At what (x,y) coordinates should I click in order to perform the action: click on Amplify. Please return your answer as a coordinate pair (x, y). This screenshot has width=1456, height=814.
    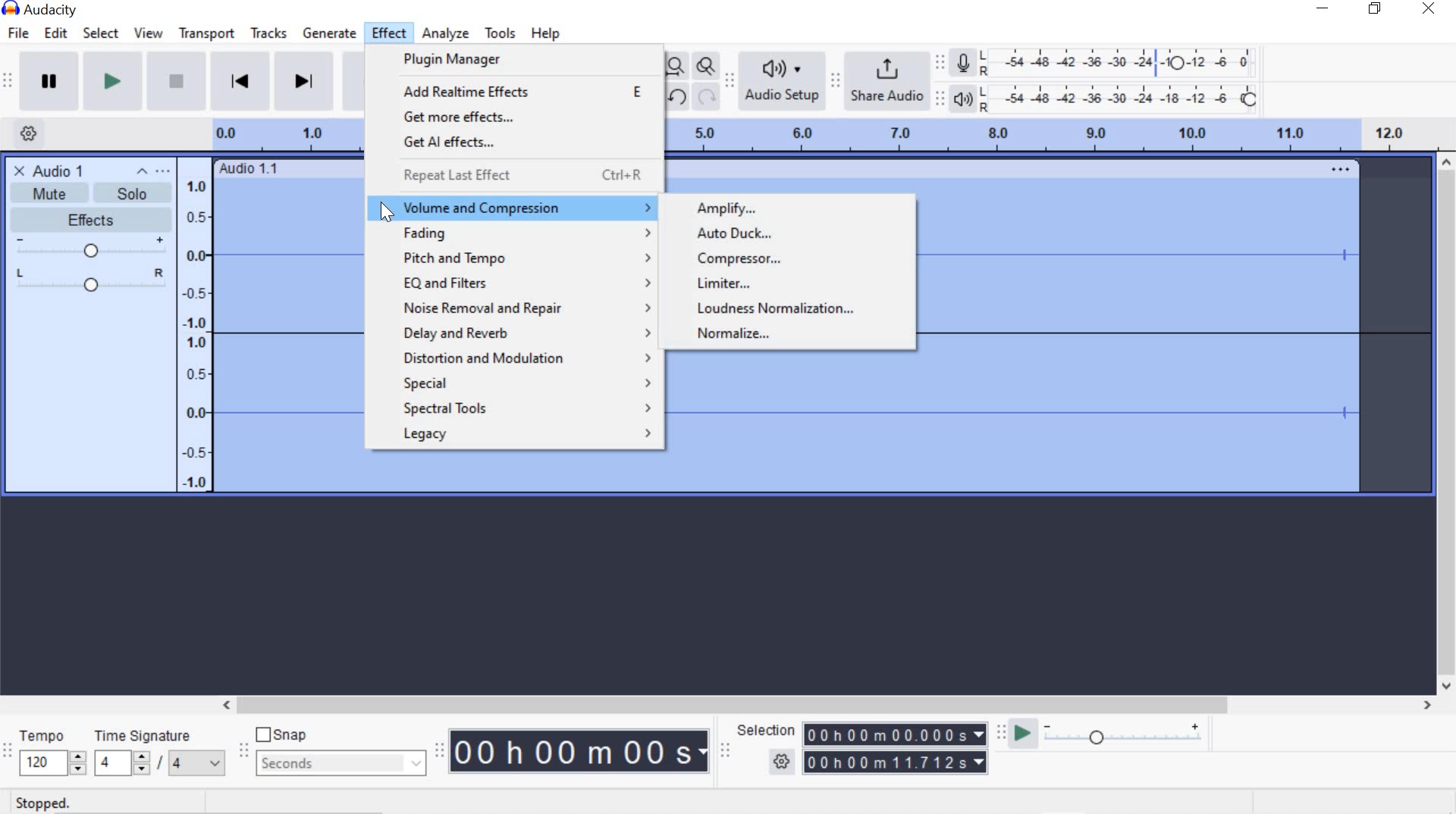
    Looking at the image, I should click on (726, 209).